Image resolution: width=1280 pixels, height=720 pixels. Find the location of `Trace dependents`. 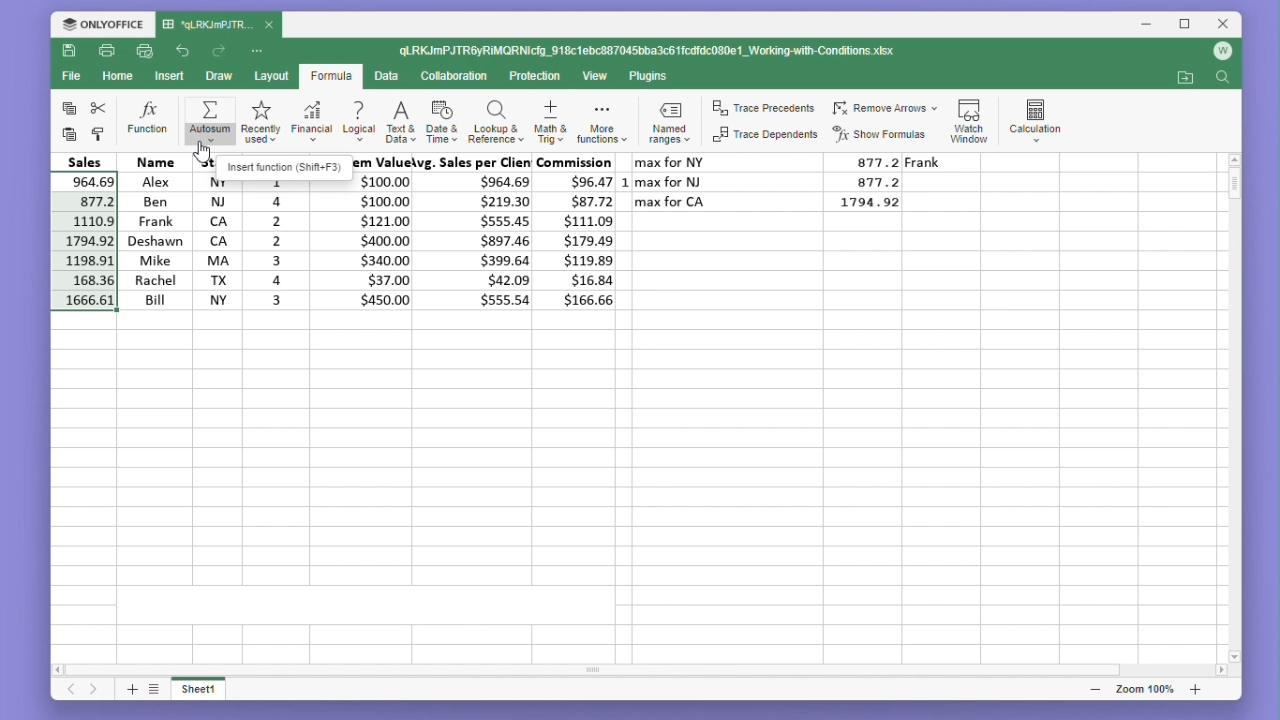

Trace dependents is located at coordinates (766, 135).